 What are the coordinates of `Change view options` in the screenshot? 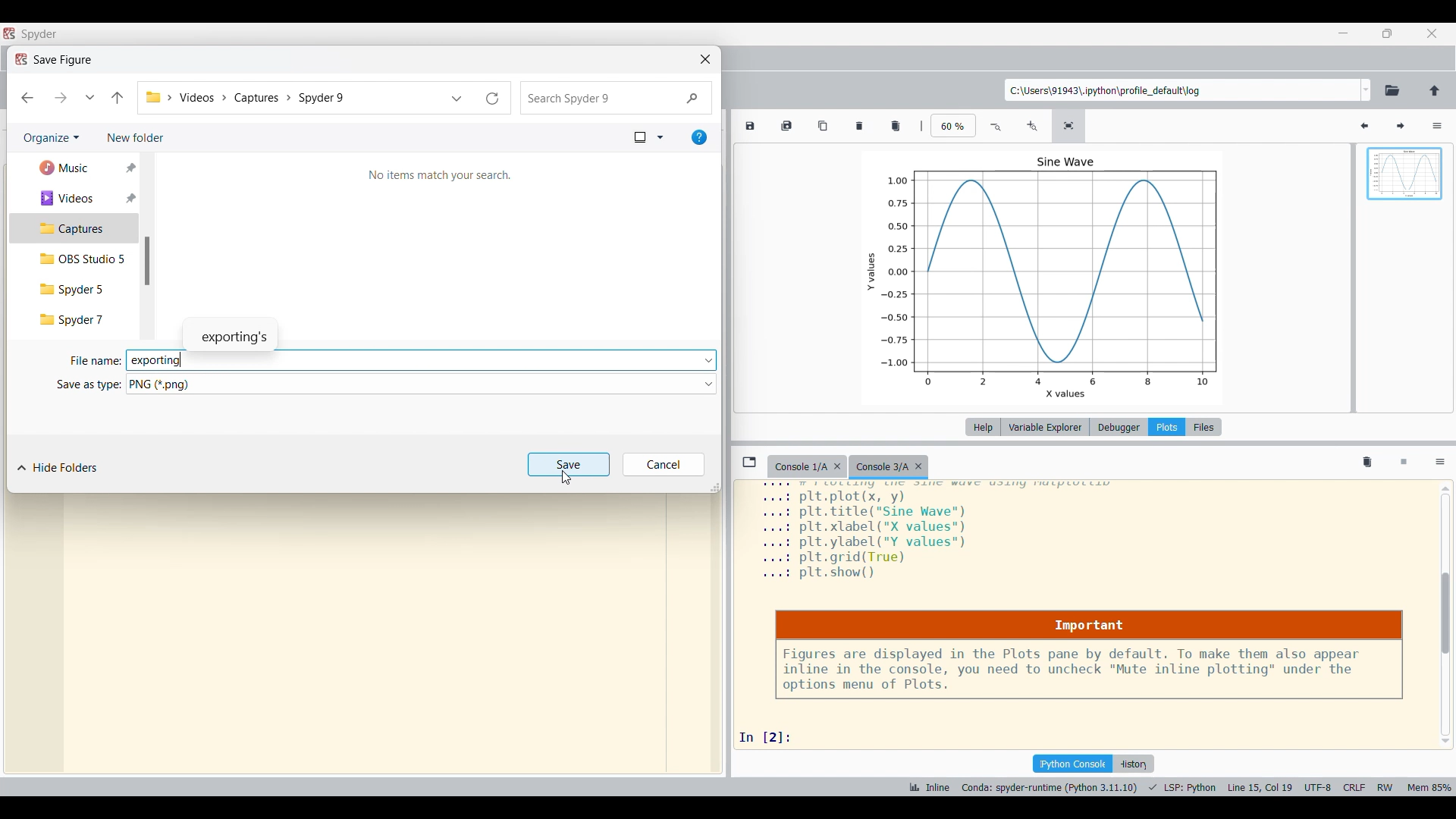 It's located at (648, 138).